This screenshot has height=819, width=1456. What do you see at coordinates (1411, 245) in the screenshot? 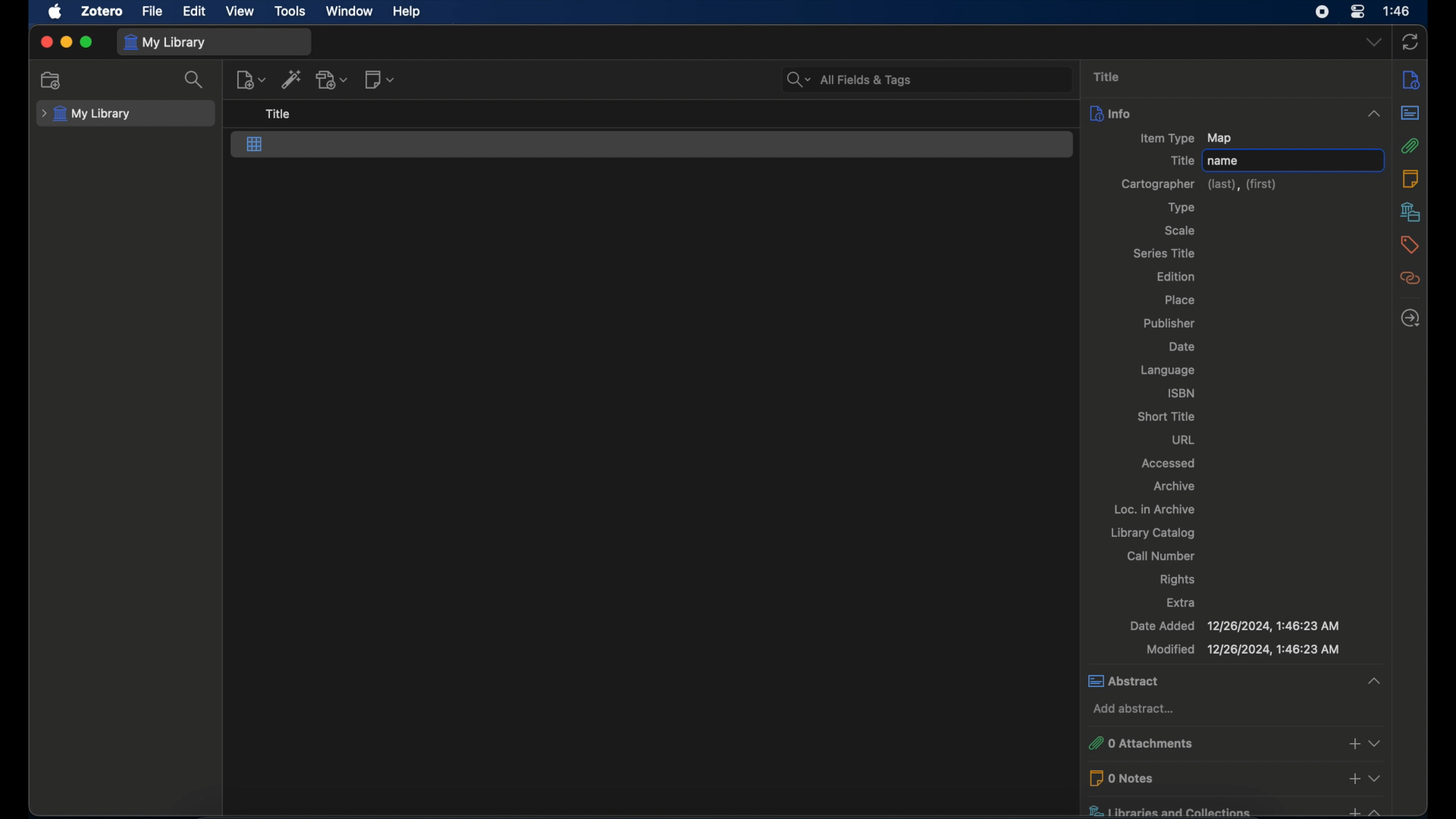
I see `tags` at bounding box center [1411, 245].